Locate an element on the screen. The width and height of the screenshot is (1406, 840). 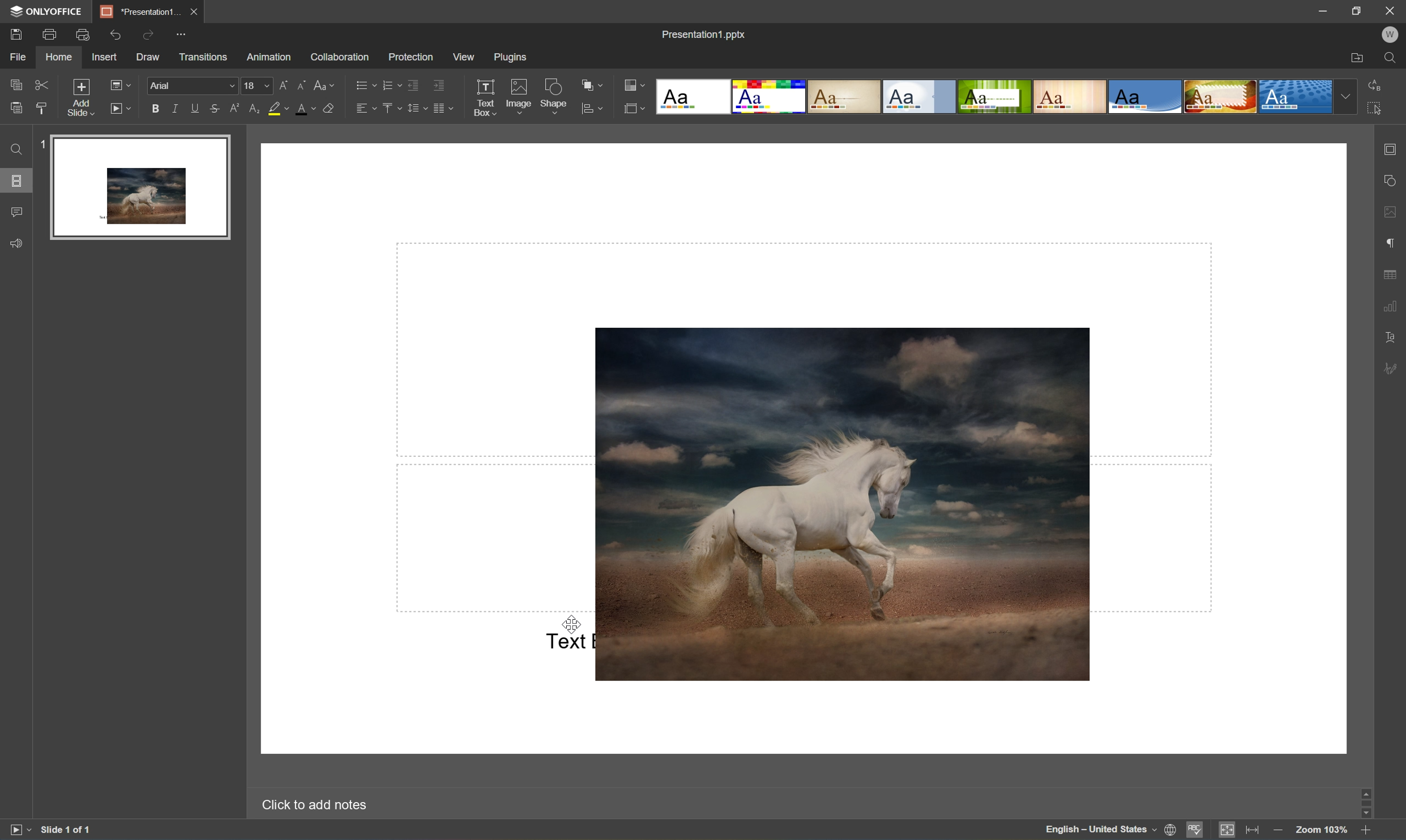
Lines is located at coordinates (1071, 96).